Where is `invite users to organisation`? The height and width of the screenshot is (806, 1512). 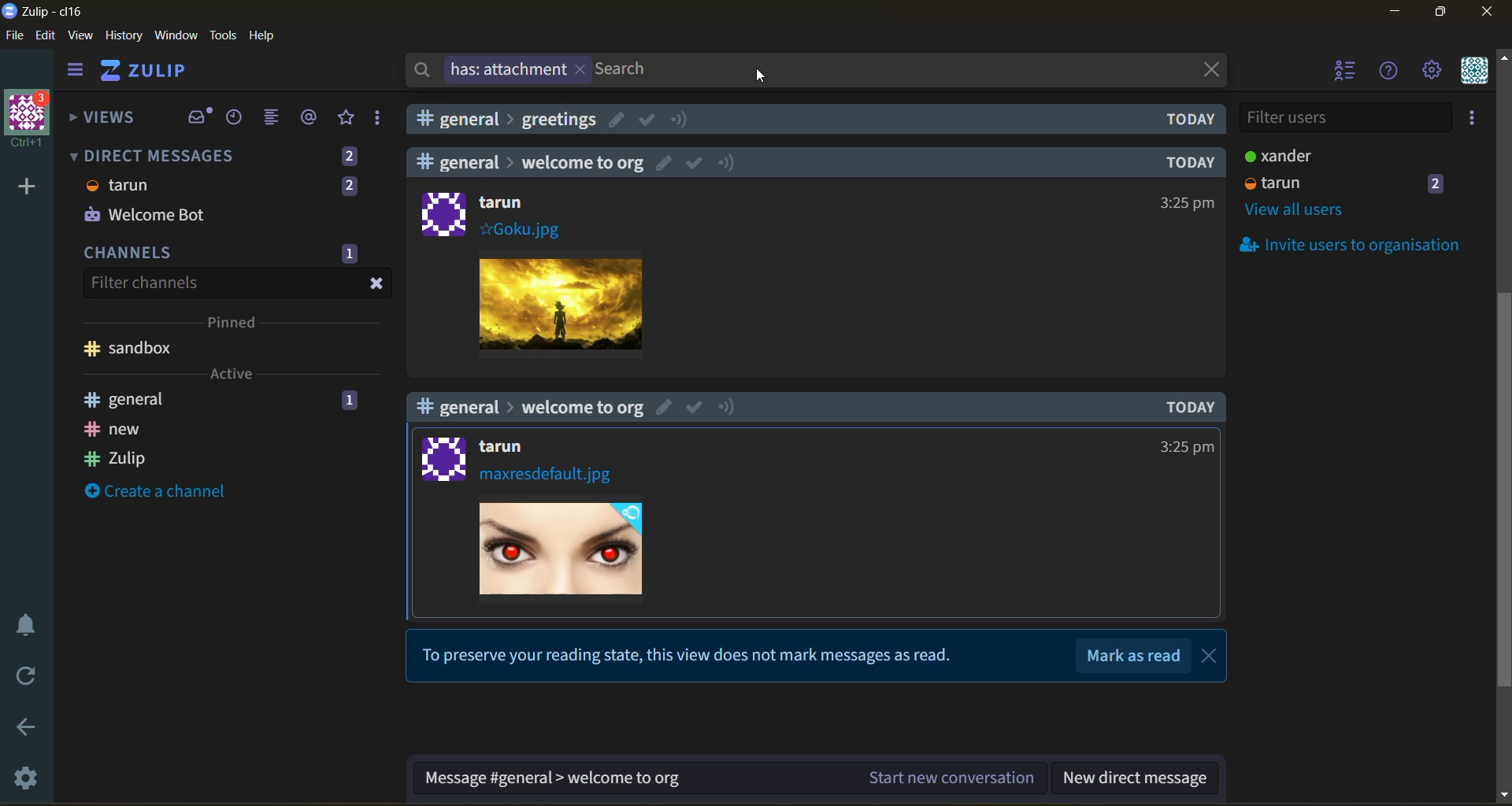 invite users to organisation is located at coordinates (1343, 243).